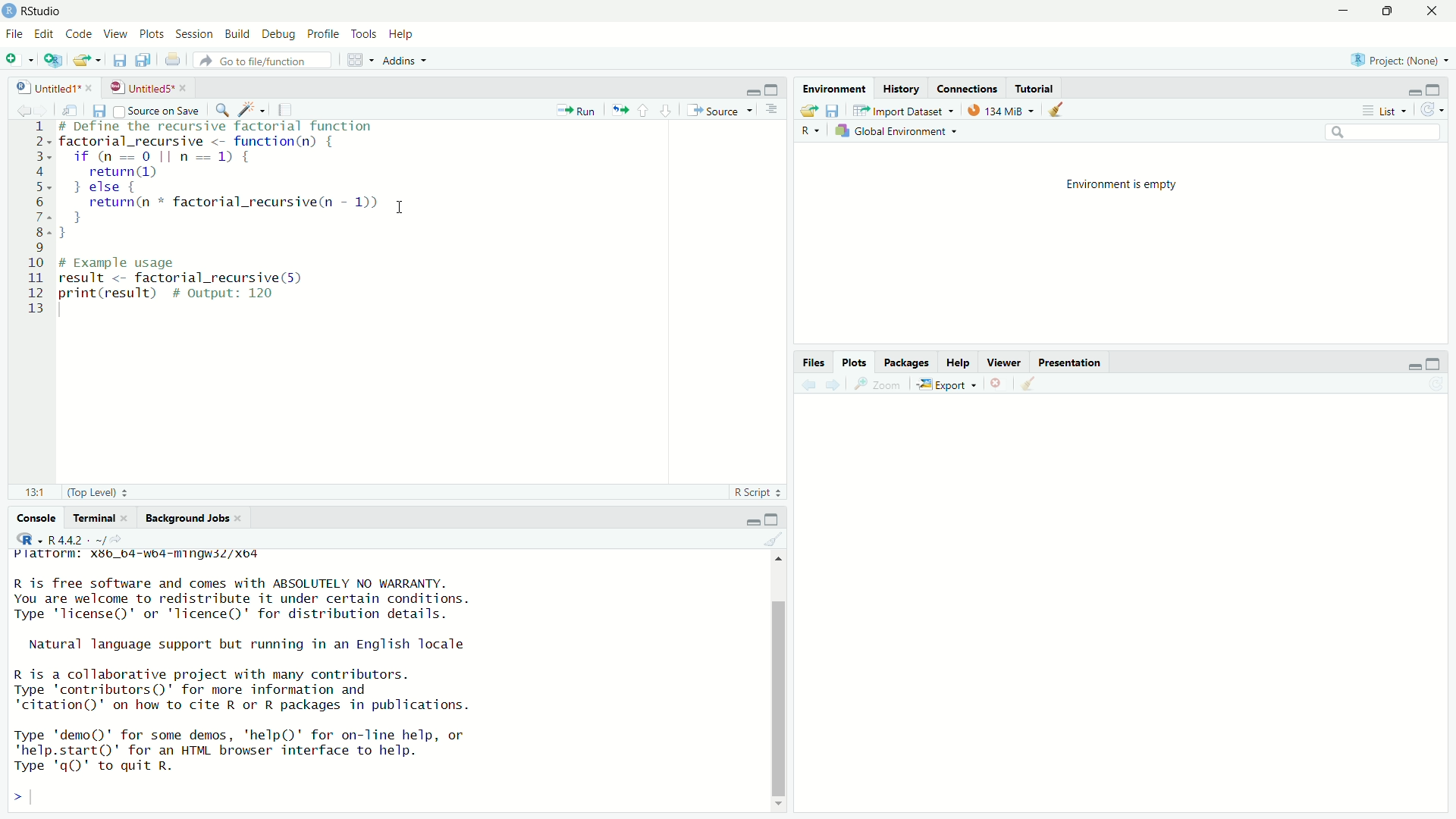  Describe the element at coordinates (18, 60) in the screenshot. I see `New File` at that location.